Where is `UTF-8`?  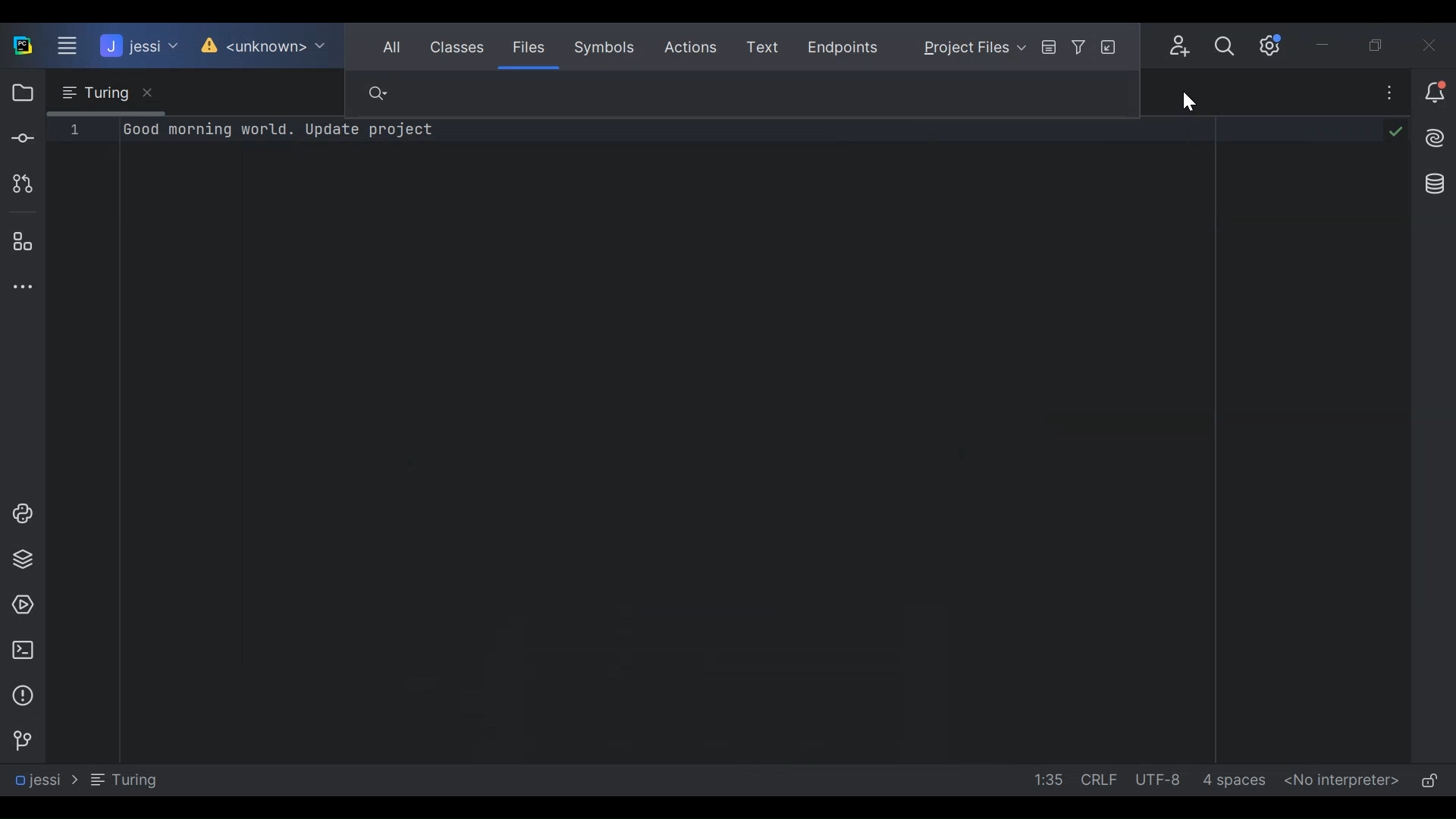
UTF-8 is located at coordinates (1163, 780).